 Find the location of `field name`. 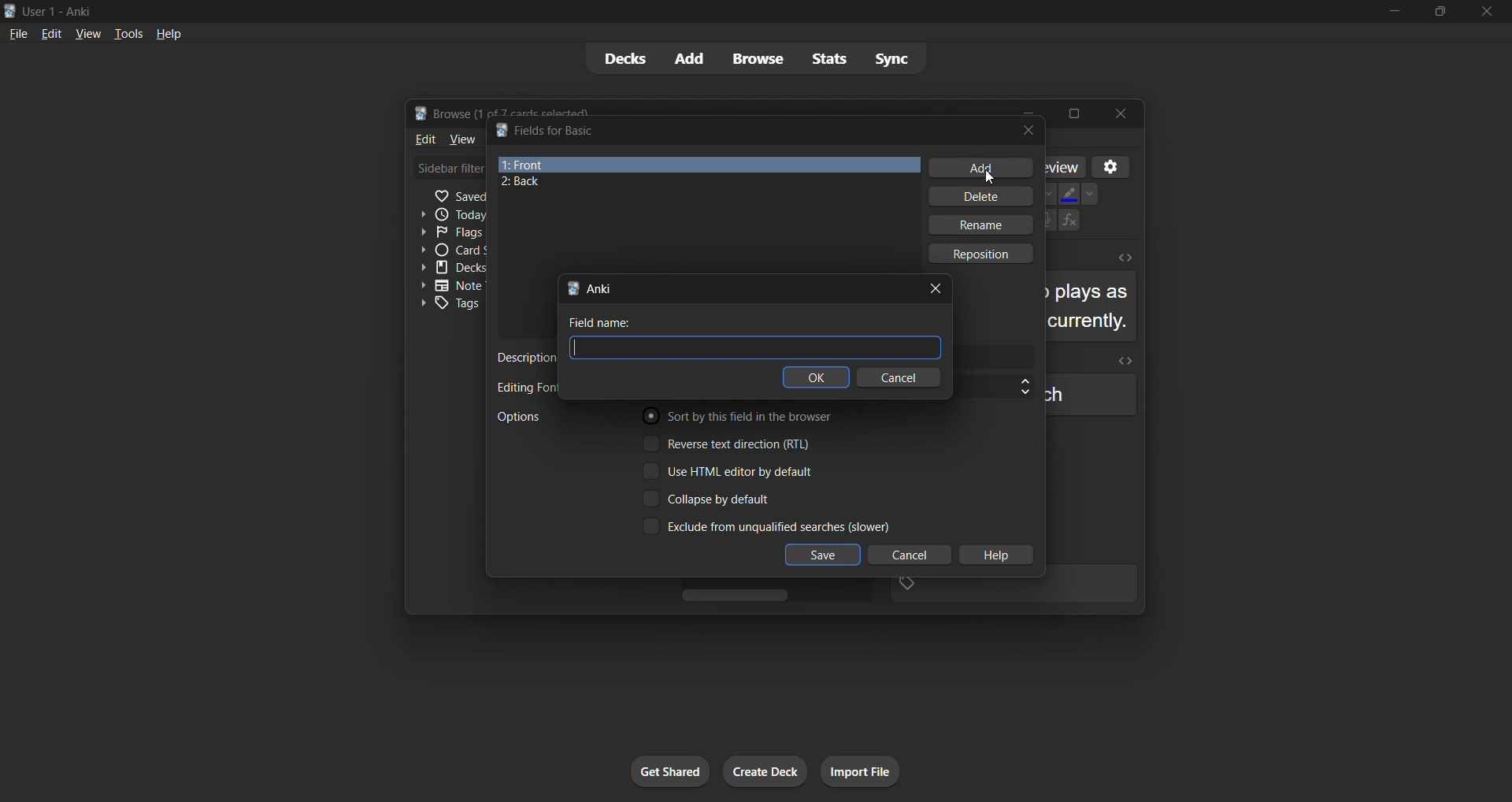

field name is located at coordinates (608, 323).